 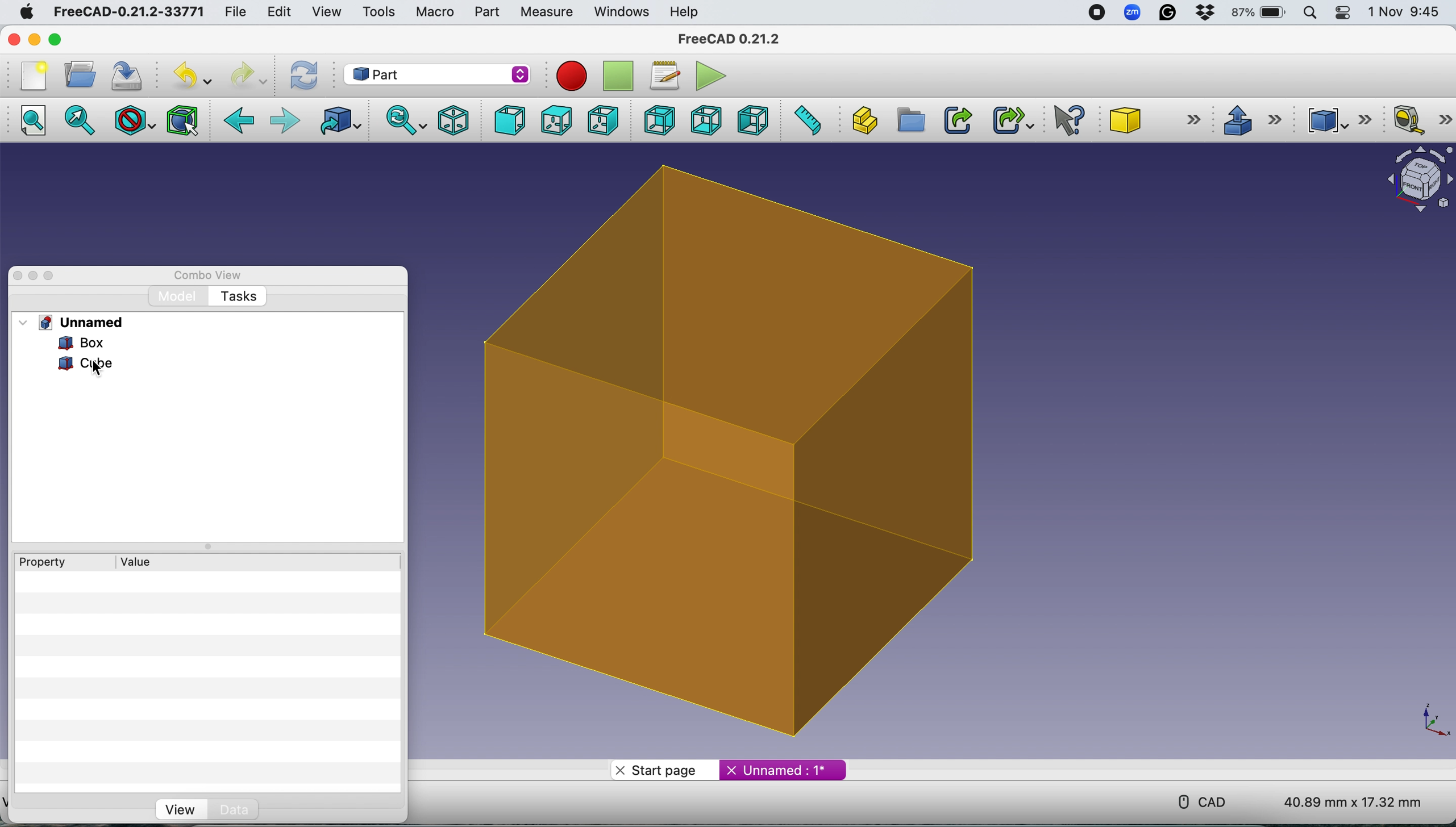 What do you see at coordinates (1406, 12) in the screenshot?
I see `1 Nov 9:45` at bounding box center [1406, 12].